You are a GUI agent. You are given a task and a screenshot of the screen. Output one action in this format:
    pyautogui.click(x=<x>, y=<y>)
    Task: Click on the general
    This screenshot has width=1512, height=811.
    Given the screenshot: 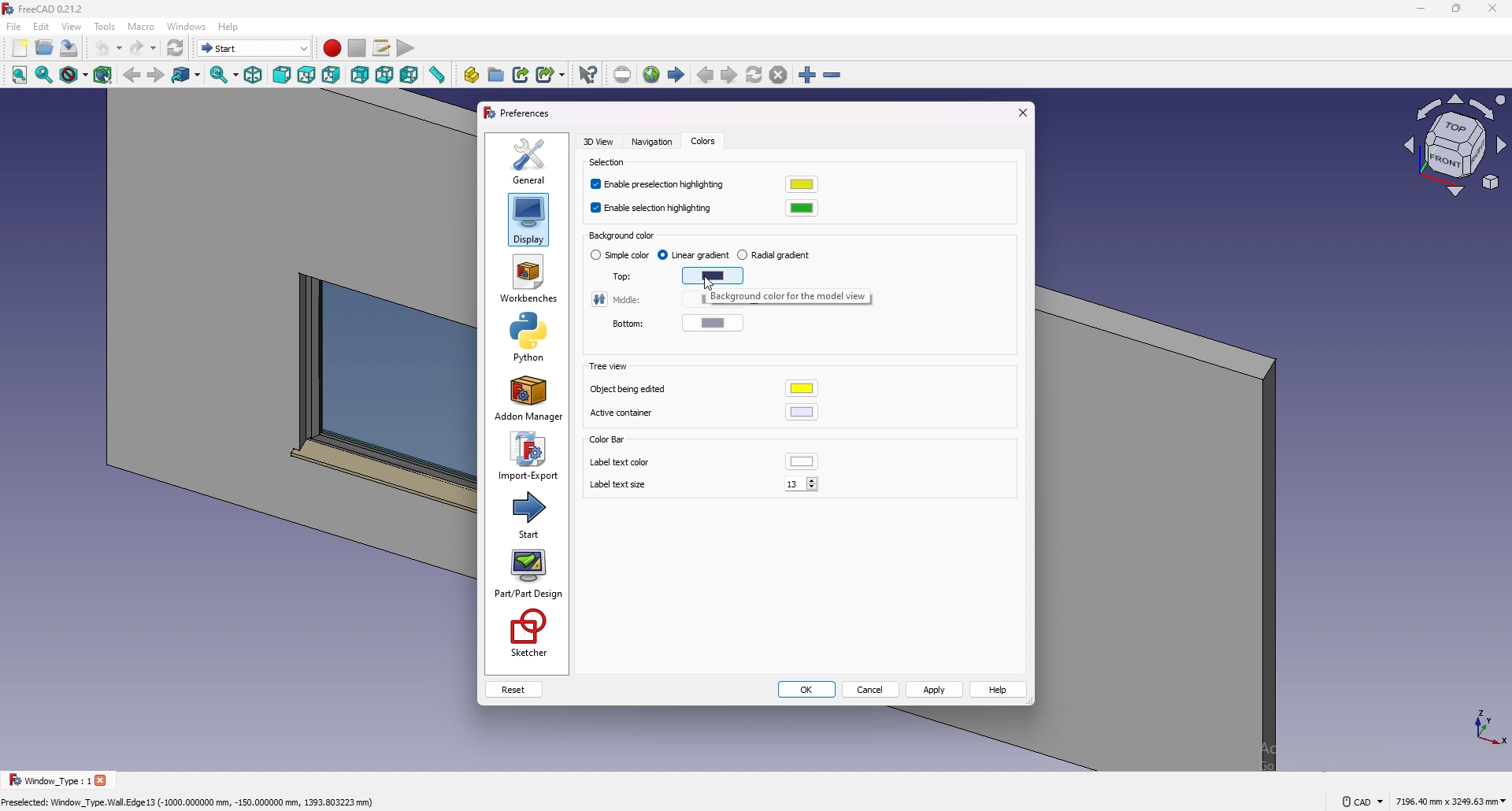 What is the action you would take?
    pyautogui.click(x=530, y=160)
    